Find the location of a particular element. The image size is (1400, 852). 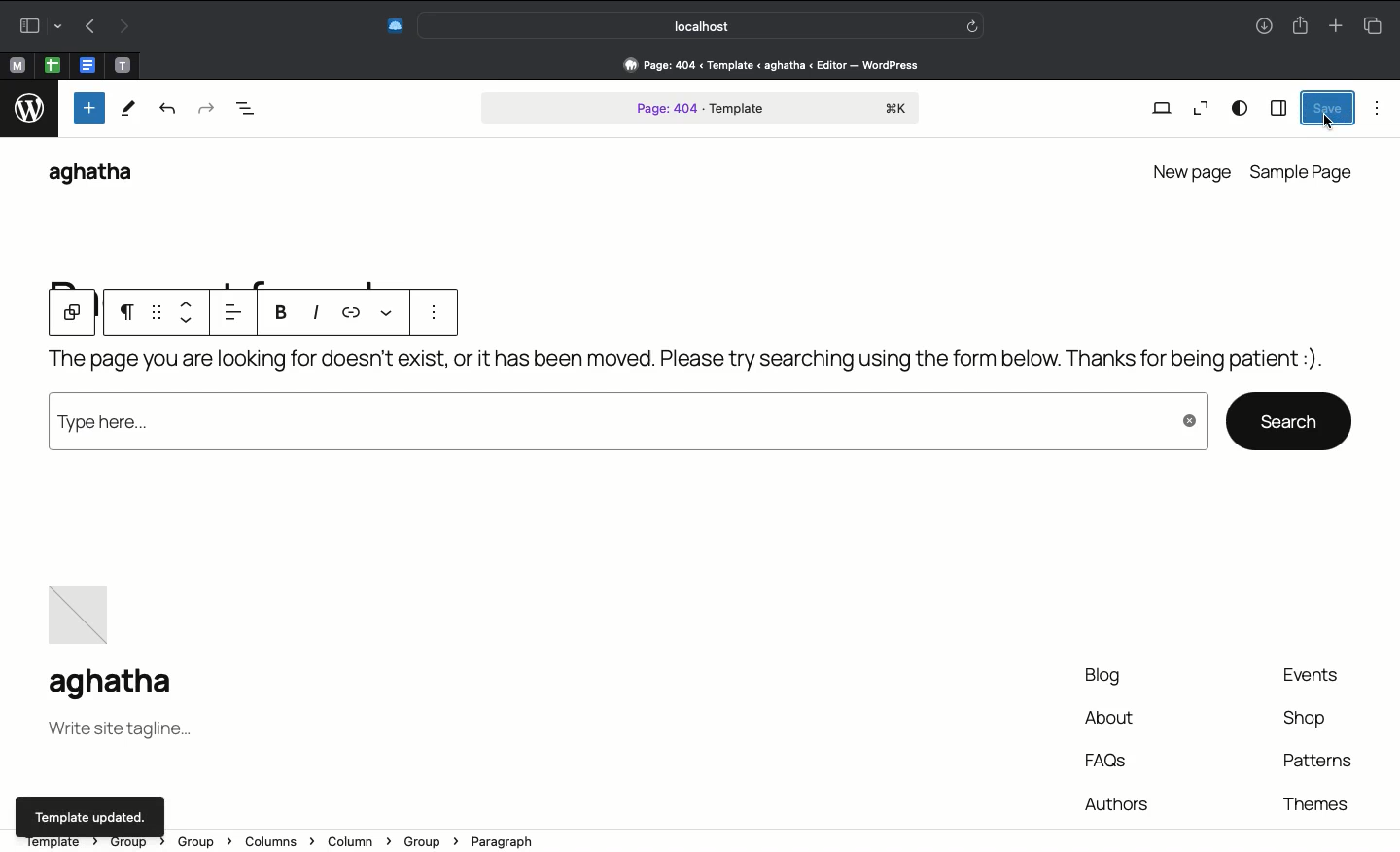

Sidebar is located at coordinates (37, 25).